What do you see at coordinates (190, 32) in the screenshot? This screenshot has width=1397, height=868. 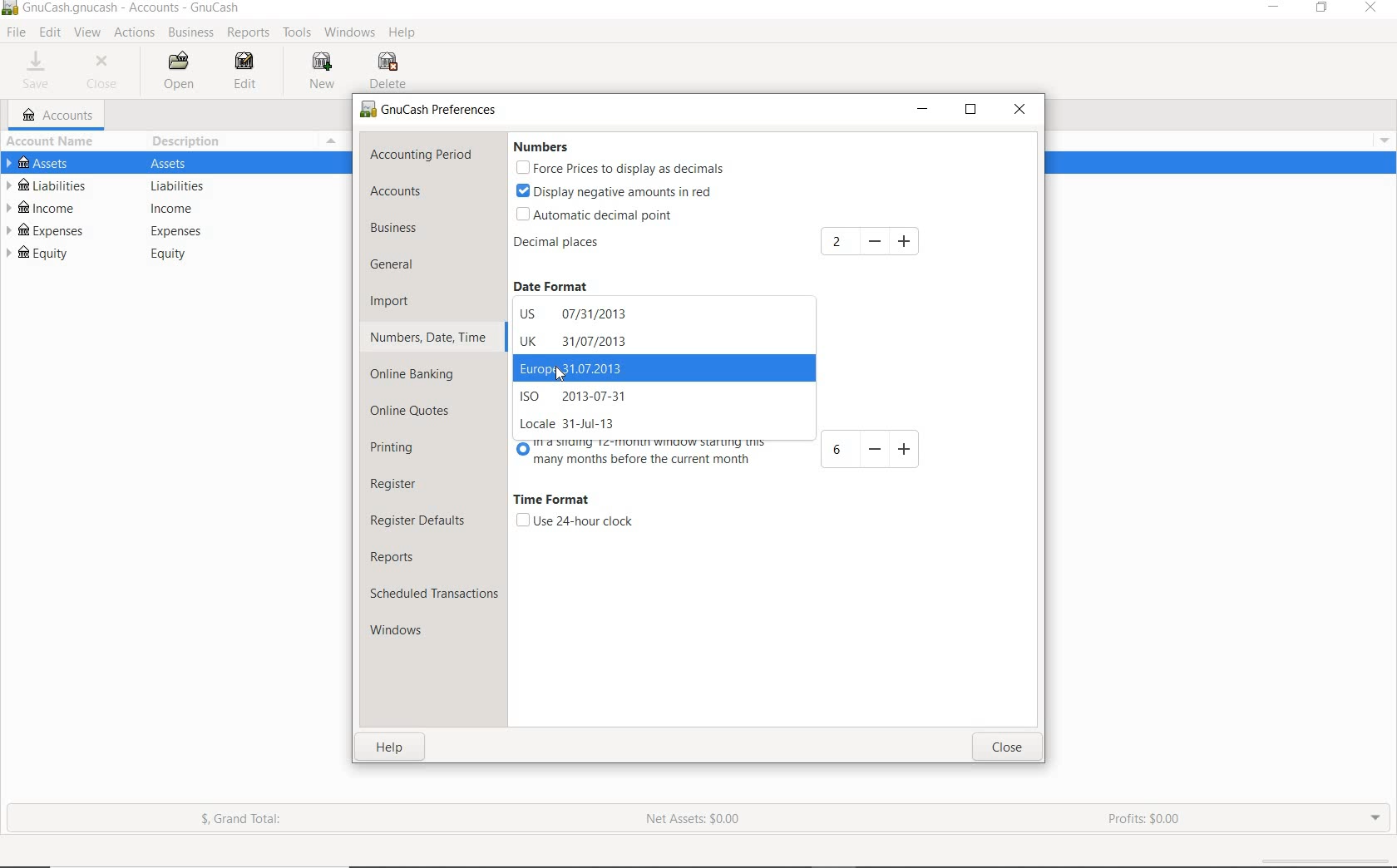 I see `BUSIINESS` at bounding box center [190, 32].